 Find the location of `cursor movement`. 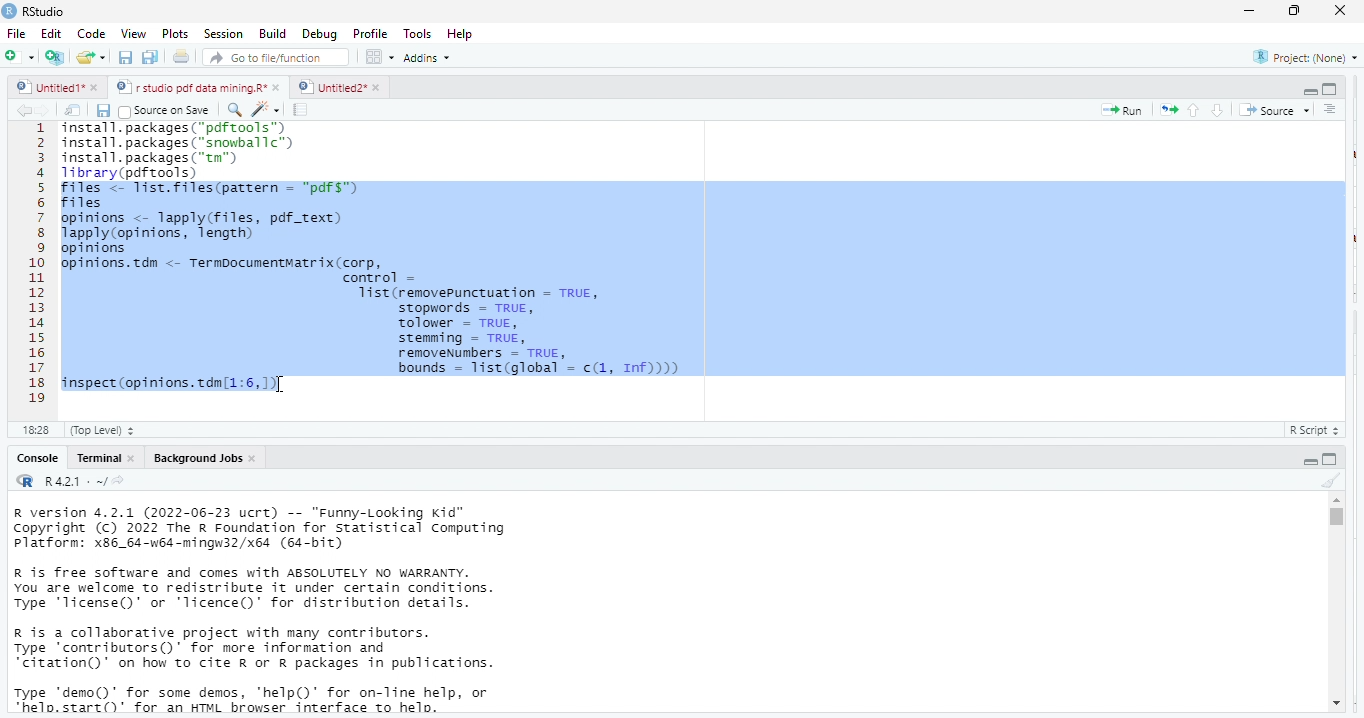

cursor movement is located at coordinates (283, 387).